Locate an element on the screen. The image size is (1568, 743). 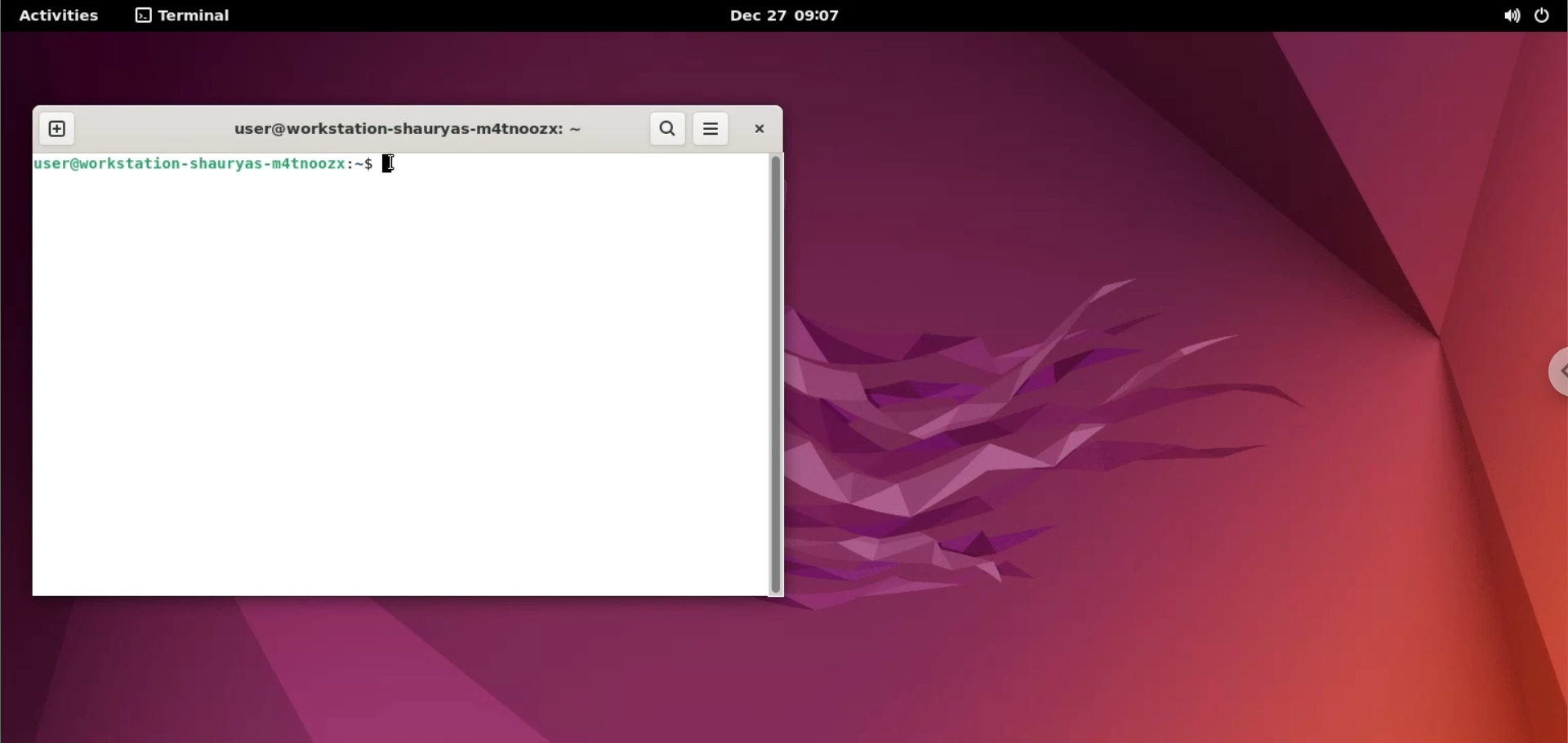
more options is located at coordinates (711, 131).